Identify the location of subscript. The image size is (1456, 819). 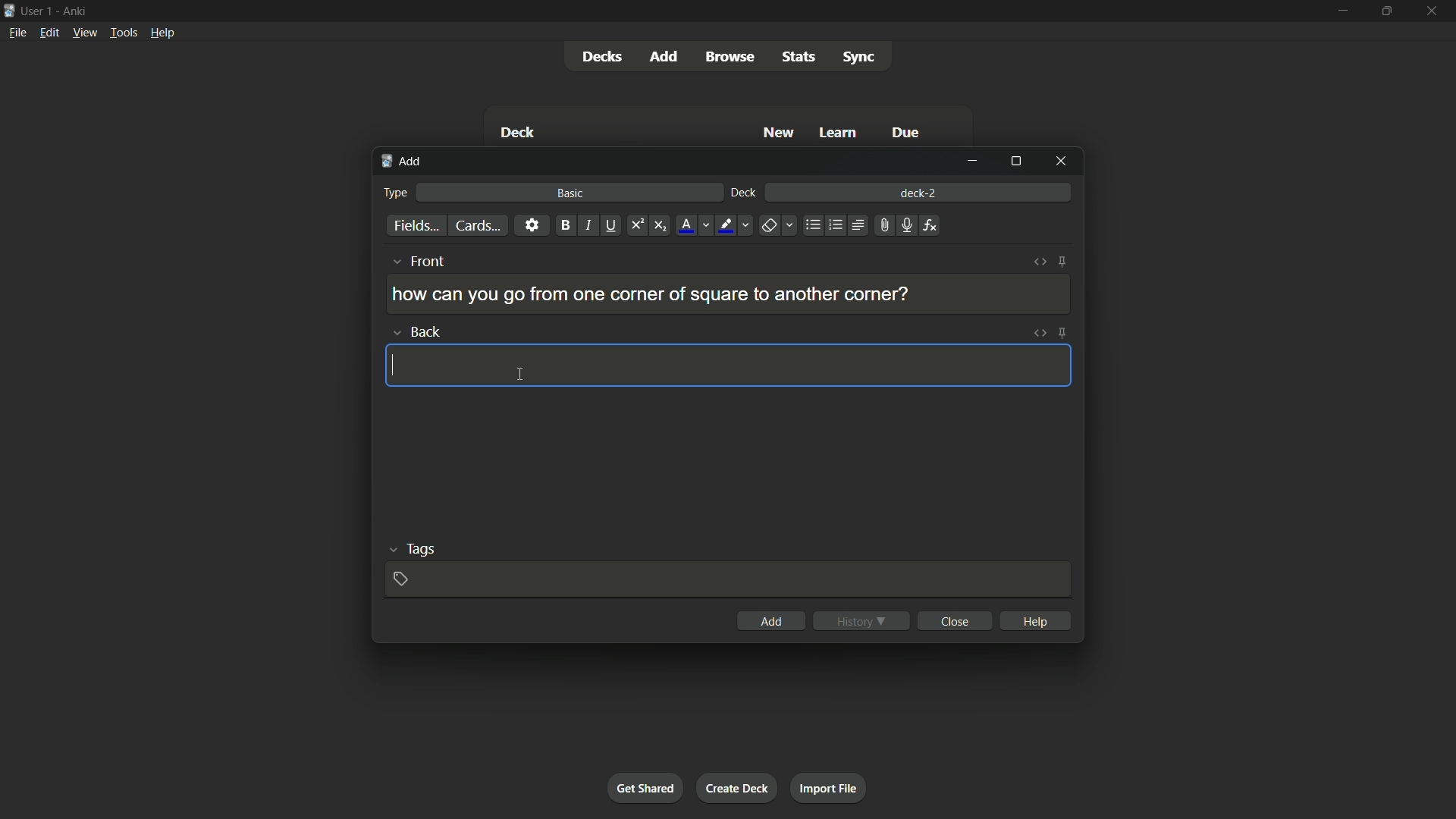
(660, 226).